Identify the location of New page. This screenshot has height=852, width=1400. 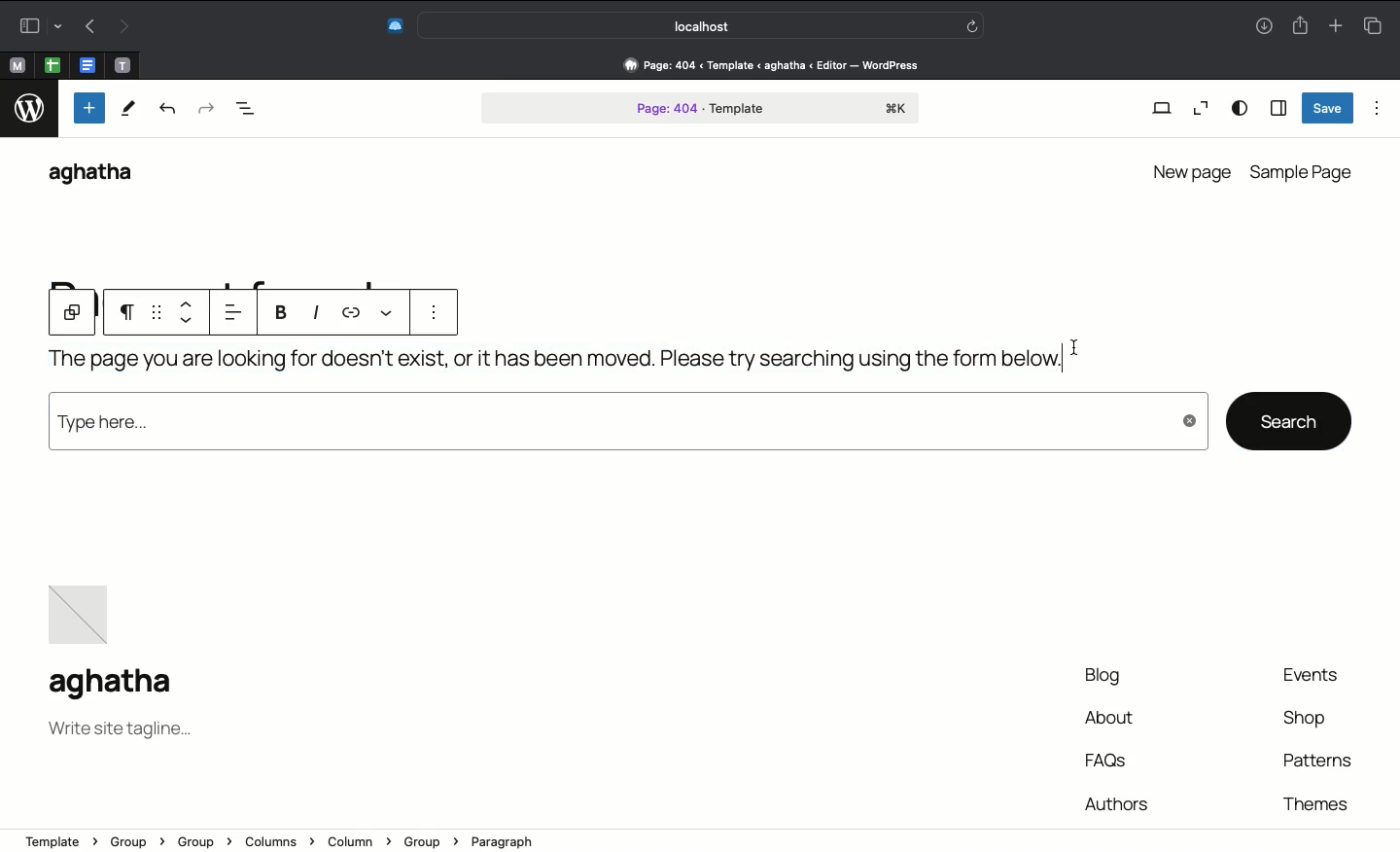
(1189, 169).